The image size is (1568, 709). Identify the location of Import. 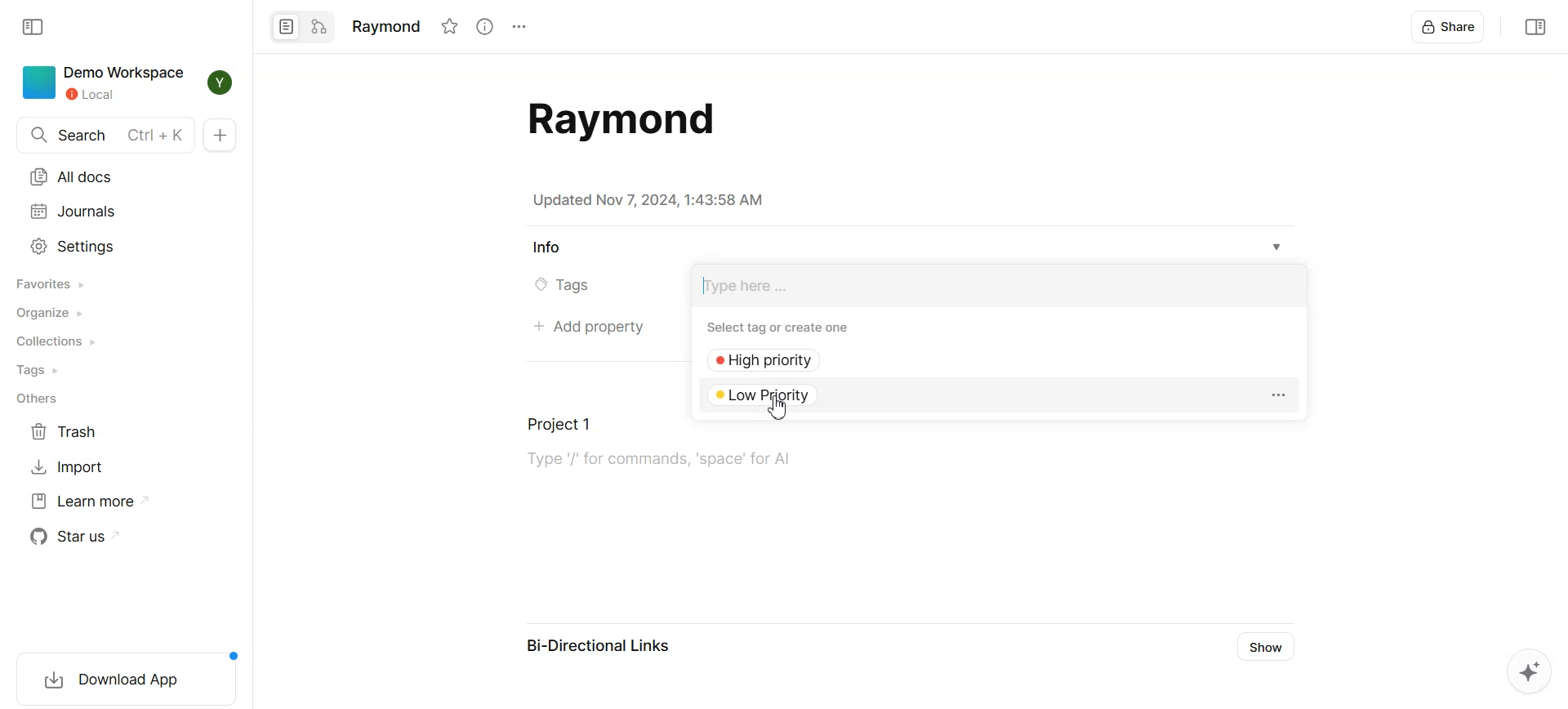
(68, 466).